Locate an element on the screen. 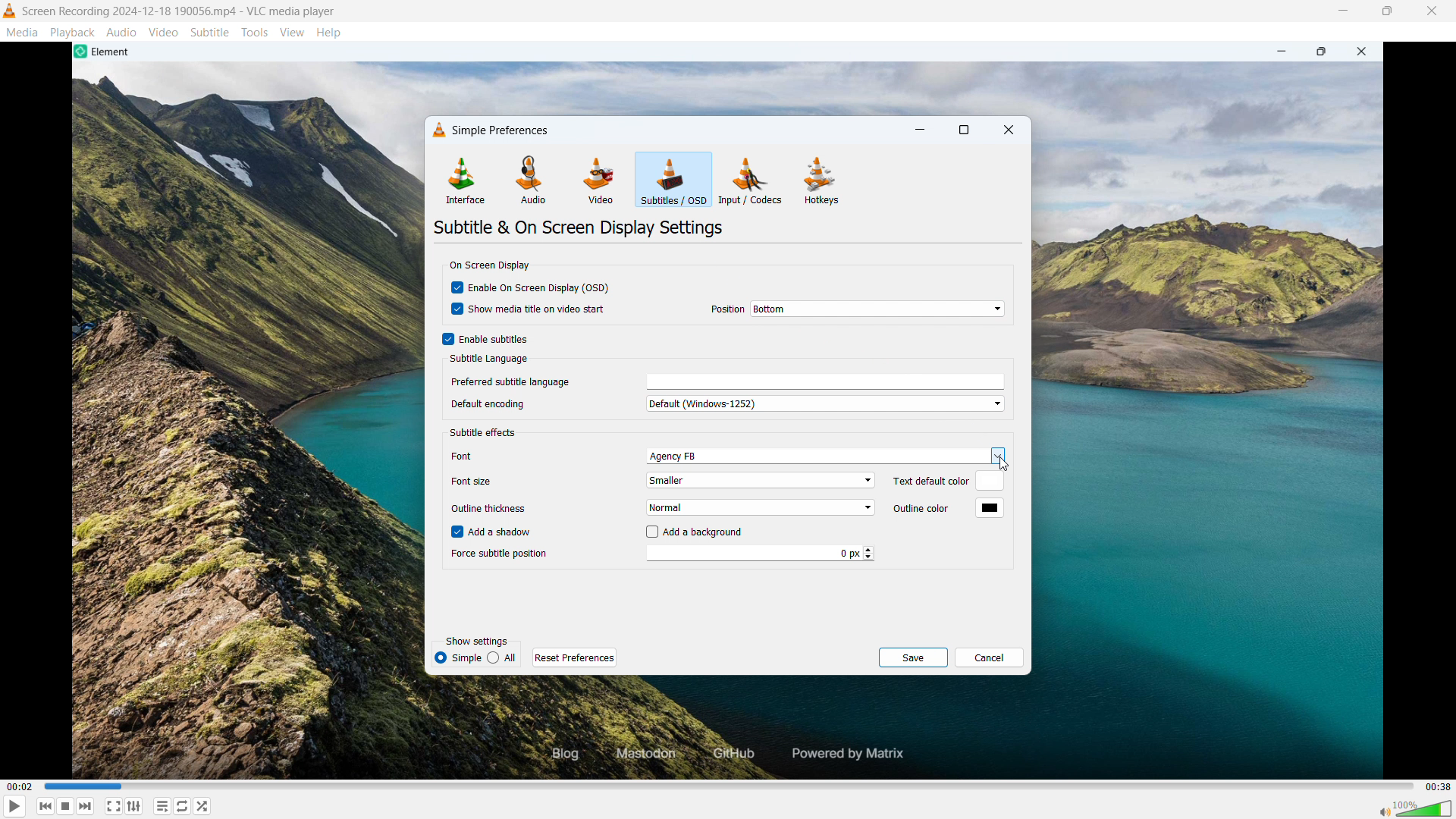 The height and width of the screenshot is (819, 1456). set default encoding is located at coordinates (823, 403).